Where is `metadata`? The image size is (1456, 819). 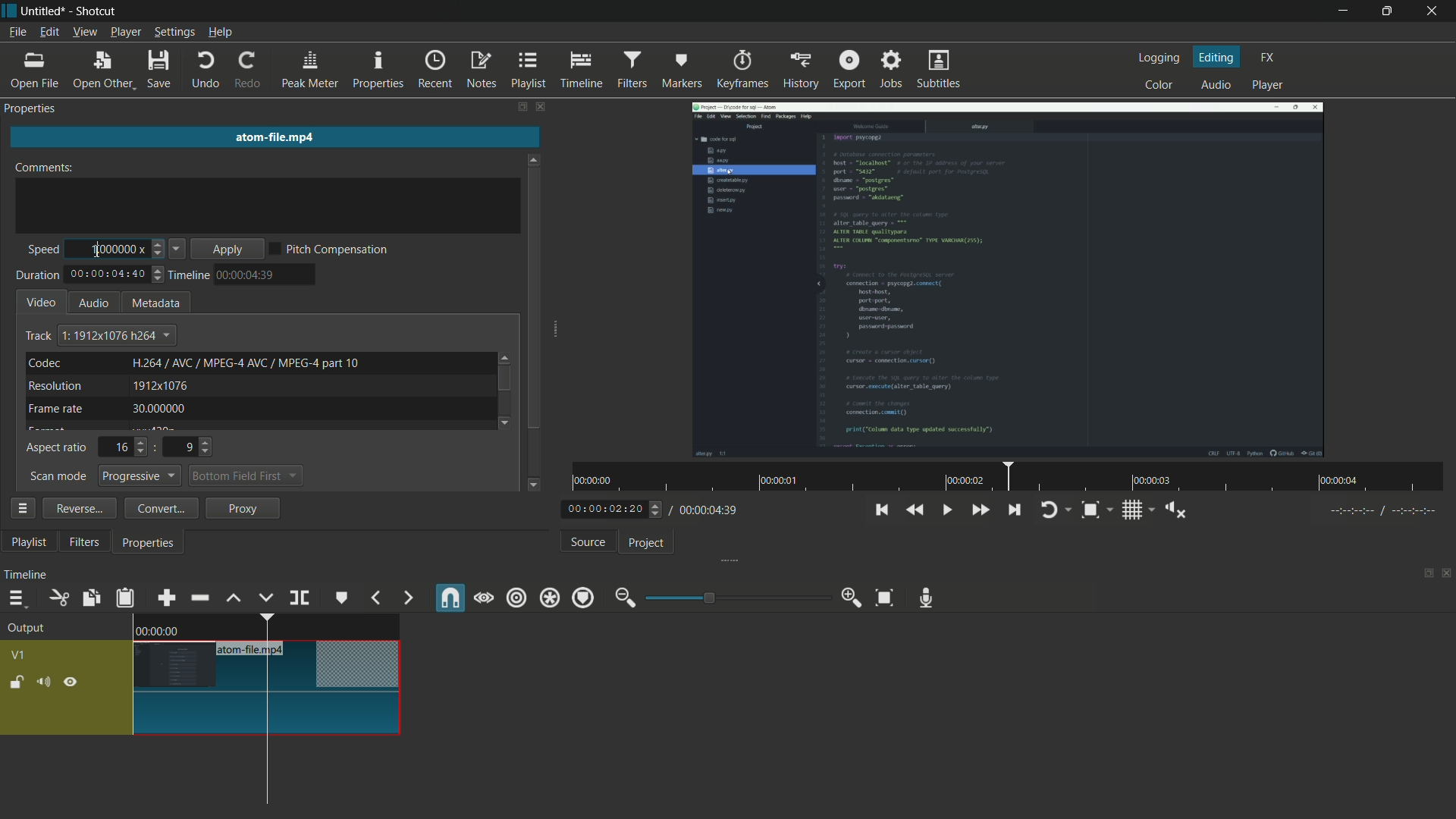
metadata is located at coordinates (153, 303).